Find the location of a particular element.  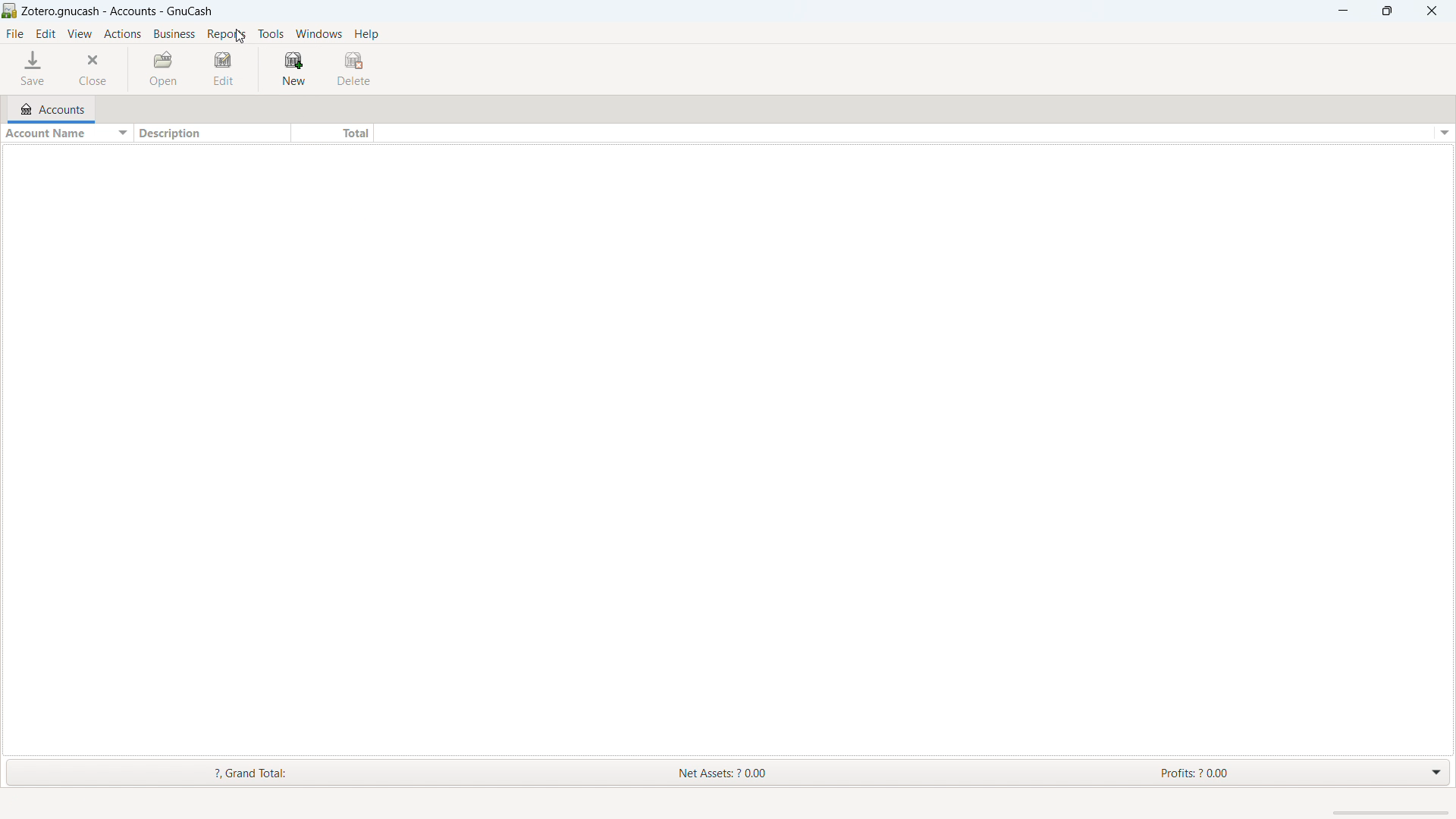

file is located at coordinates (15, 33).